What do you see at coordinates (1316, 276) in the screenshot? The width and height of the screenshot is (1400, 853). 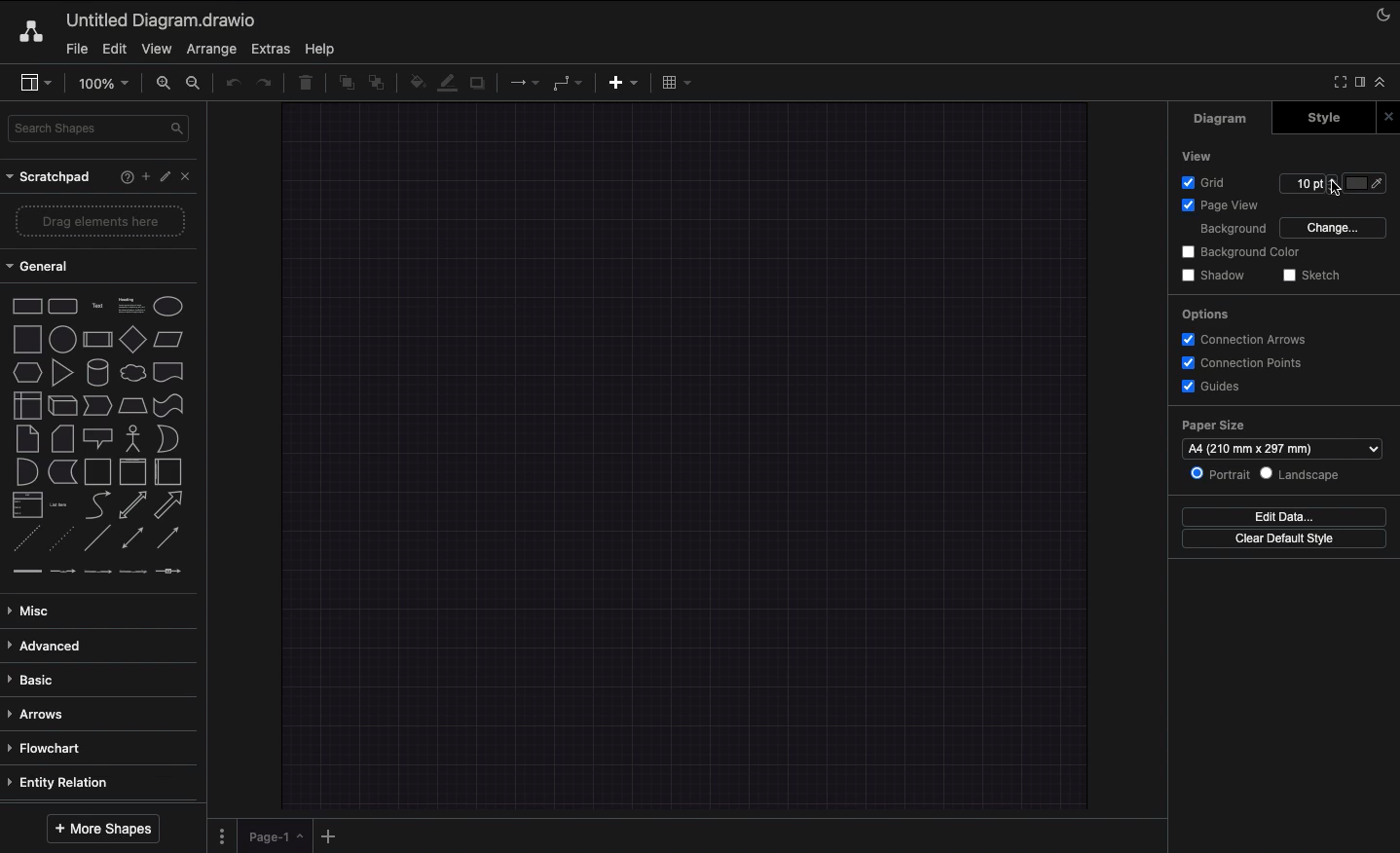 I see `Sketch` at bounding box center [1316, 276].